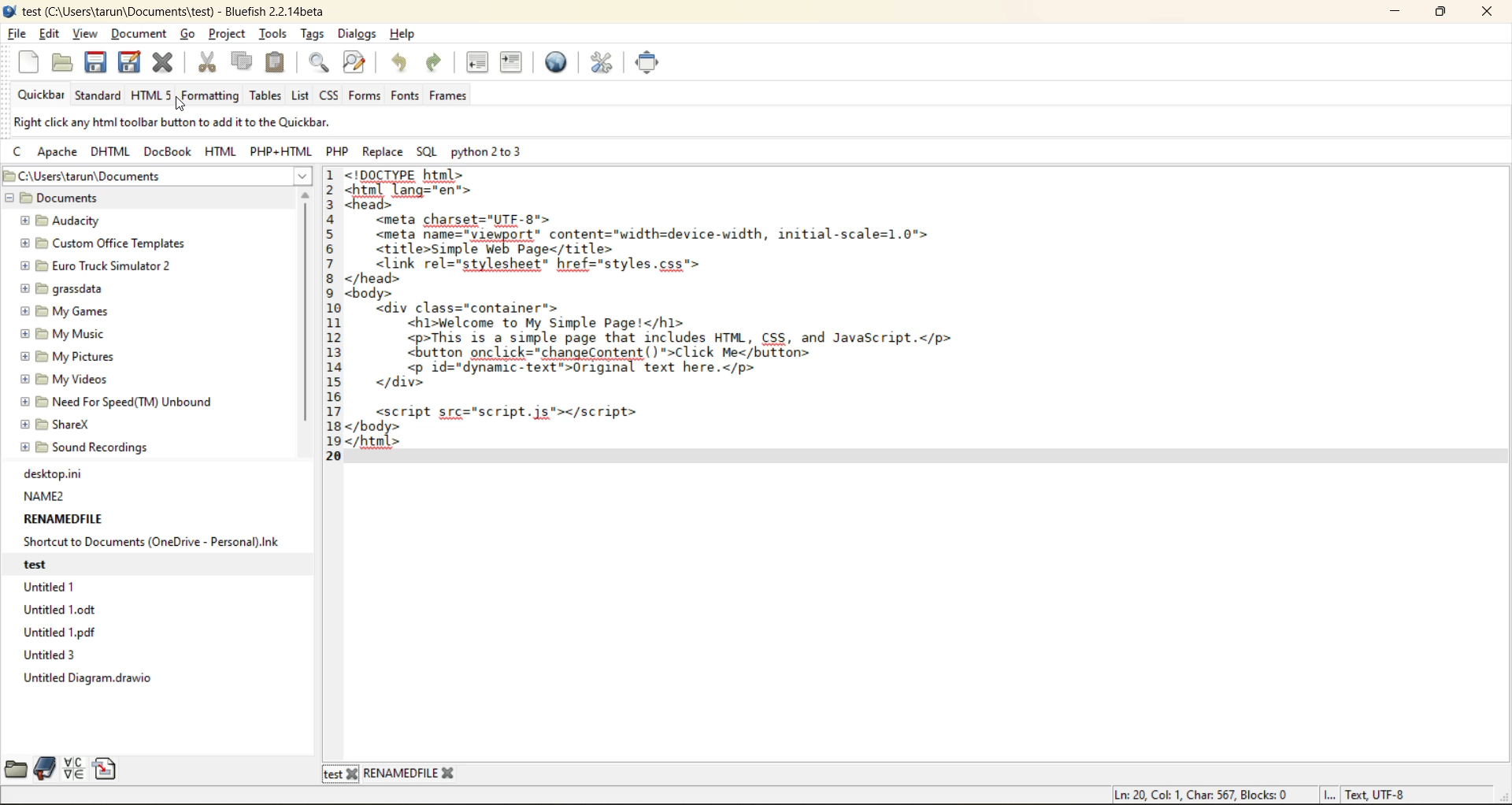 The width and height of the screenshot is (1512, 805). I want to click on desktop.ini, so click(50, 475).